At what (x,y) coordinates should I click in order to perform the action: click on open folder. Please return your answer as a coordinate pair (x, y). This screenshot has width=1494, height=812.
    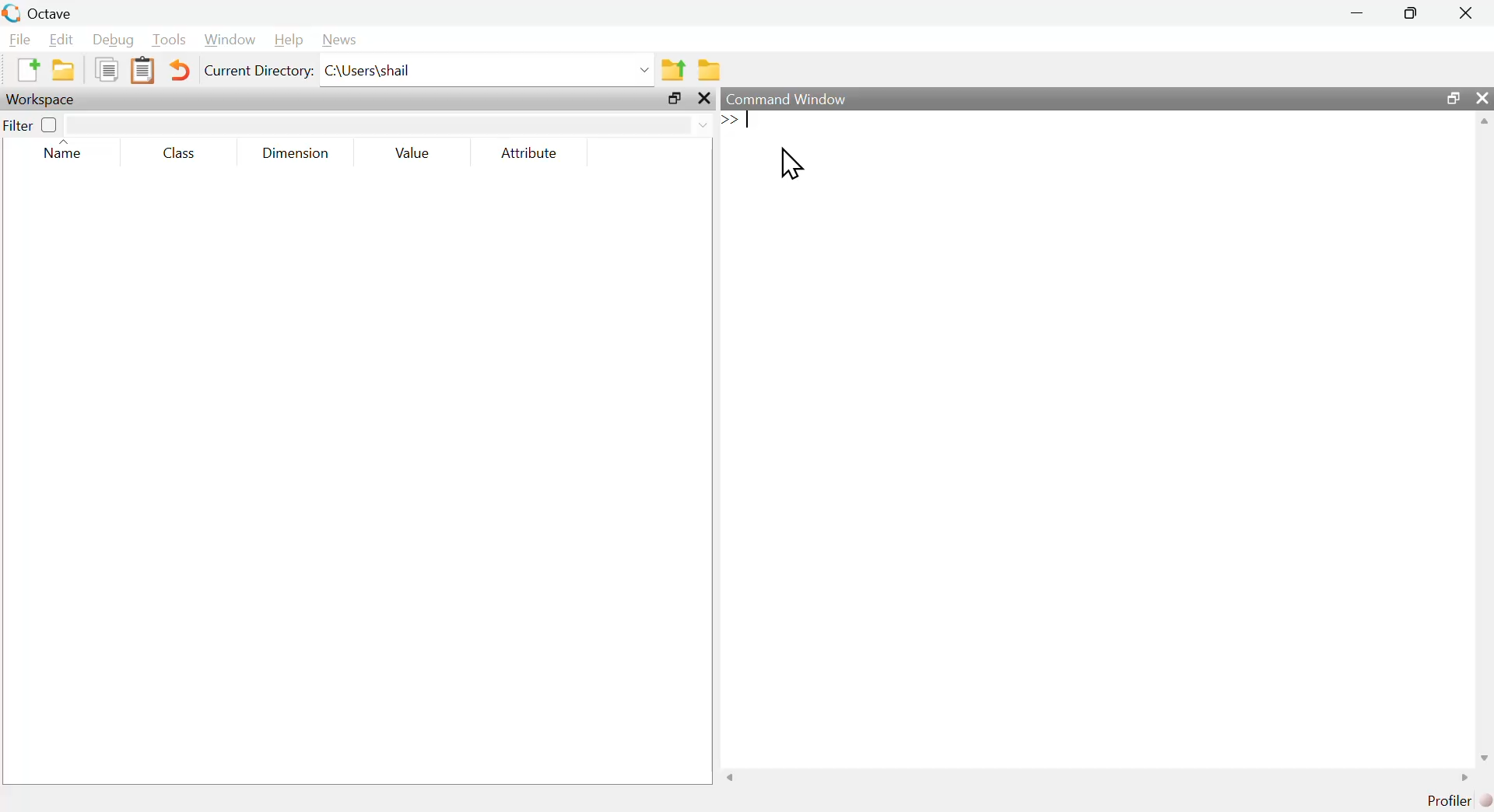
    Looking at the image, I should click on (60, 71).